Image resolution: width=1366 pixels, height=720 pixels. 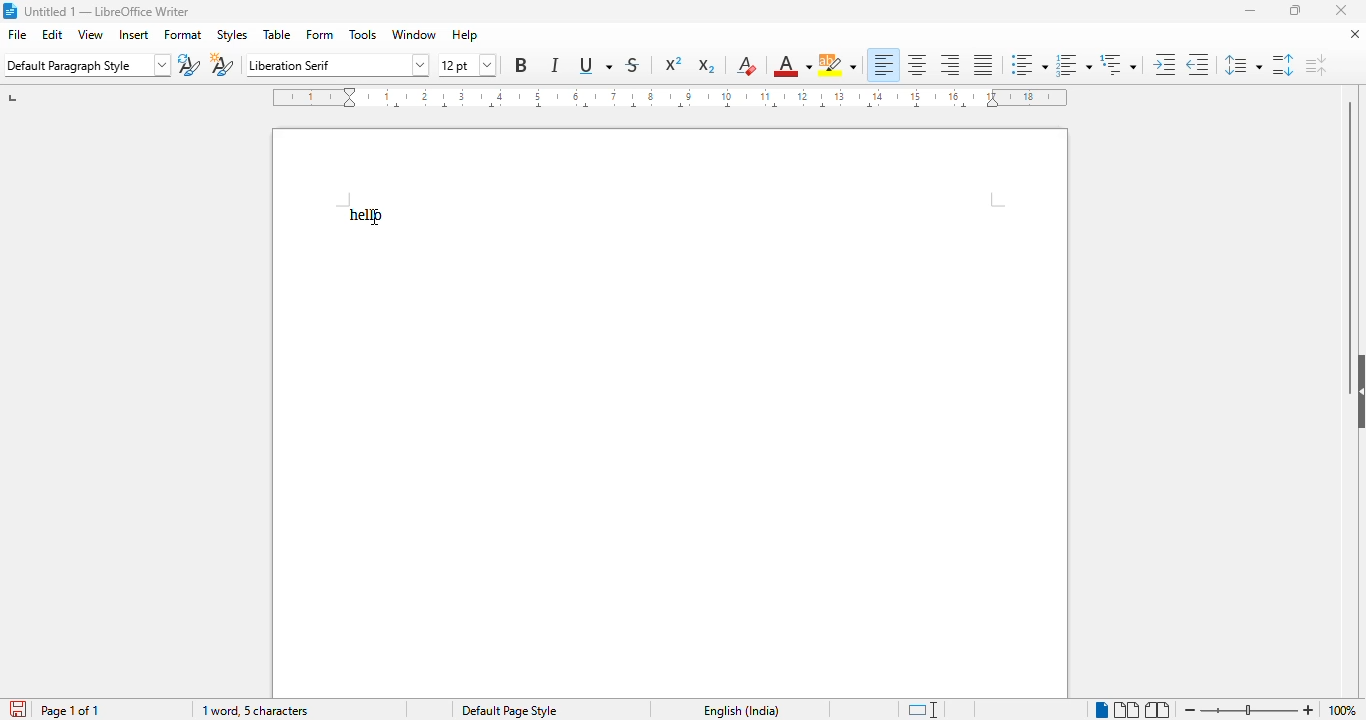 I want to click on format, so click(x=183, y=34).